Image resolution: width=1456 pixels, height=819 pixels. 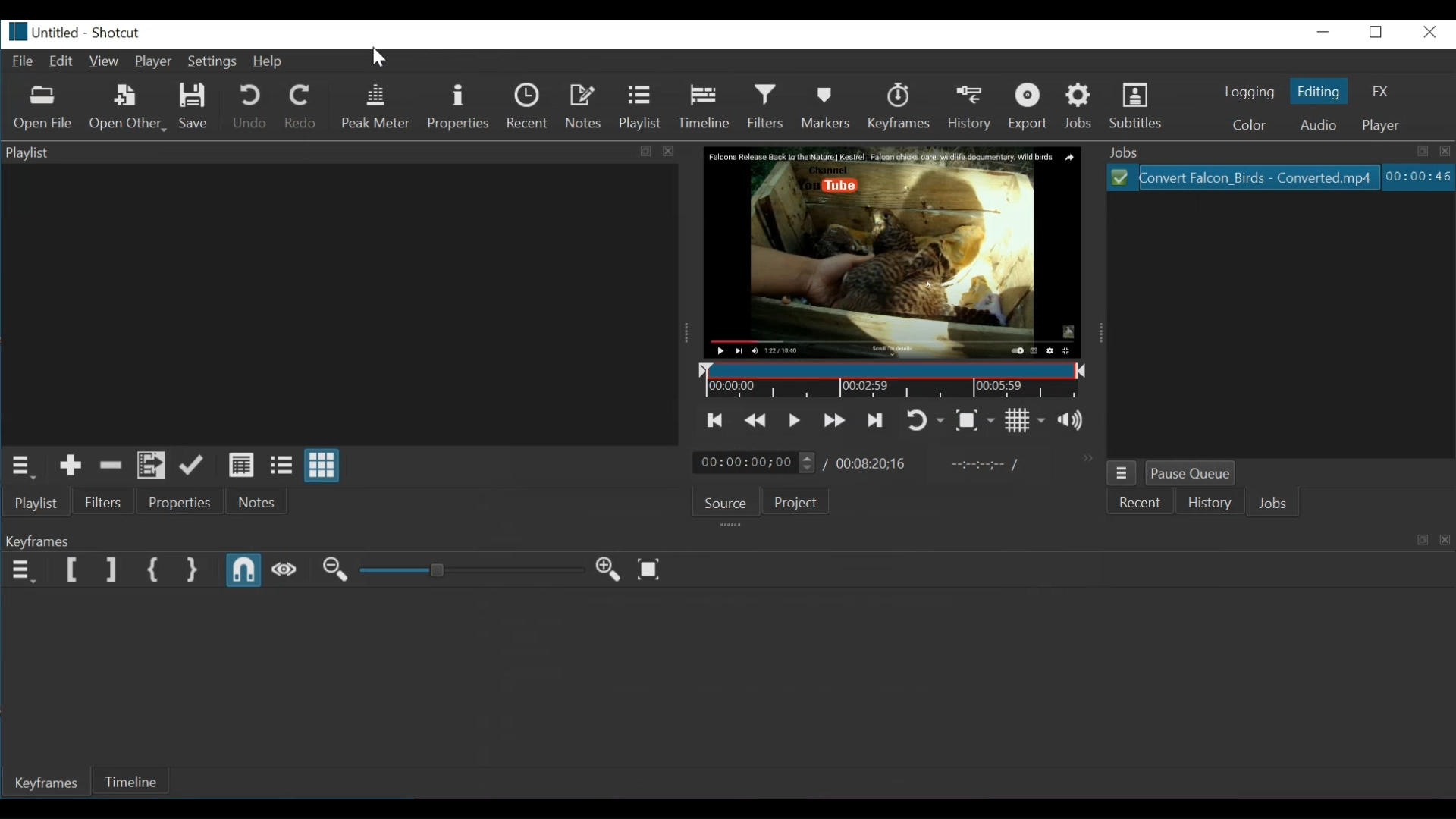 What do you see at coordinates (833, 421) in the screenshot?
I see `Play quickly forward` at bounding box center [833, 421].